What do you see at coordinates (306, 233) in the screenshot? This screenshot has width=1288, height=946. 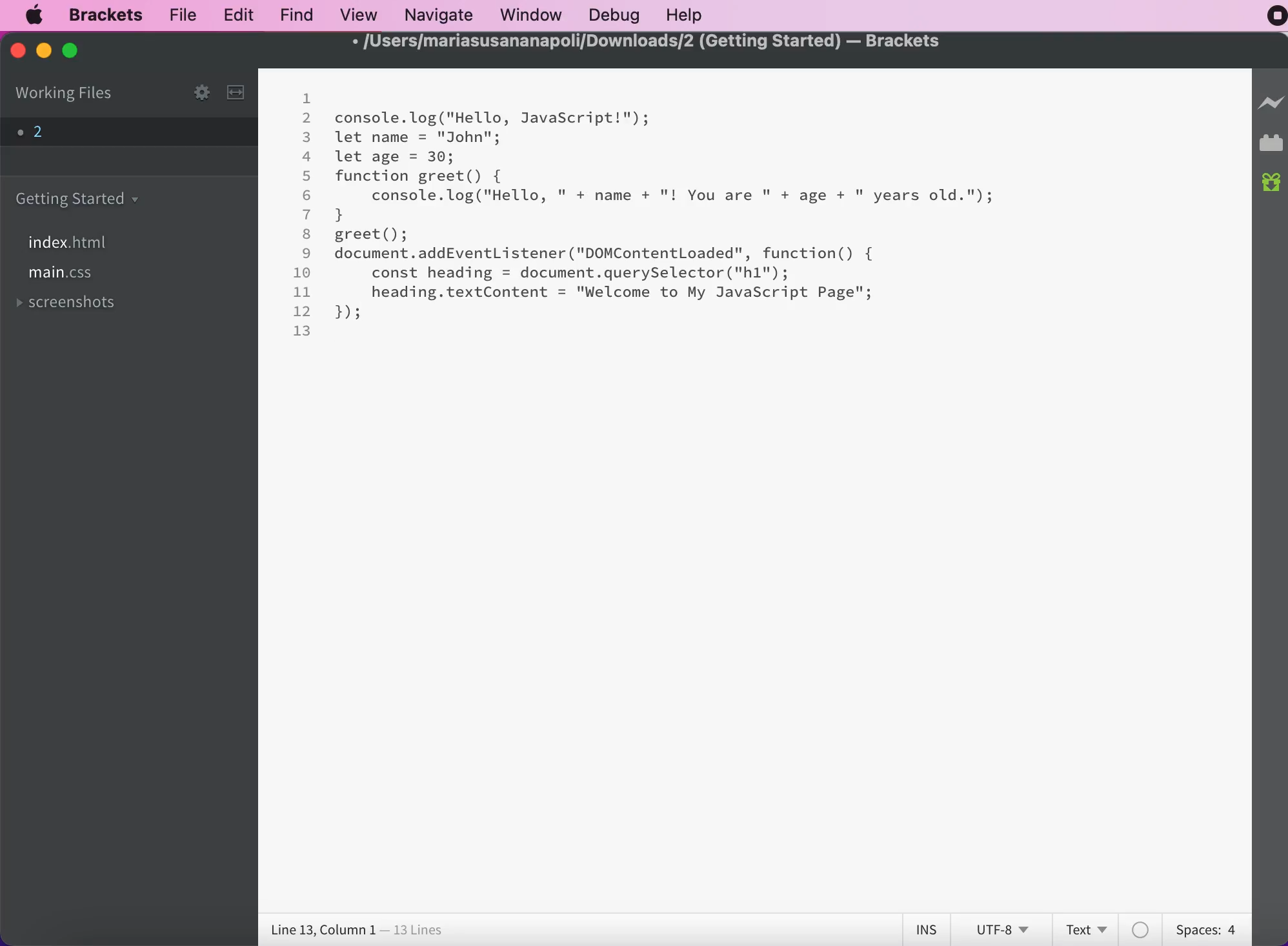 I see `8` at bounding box center [306, 233].